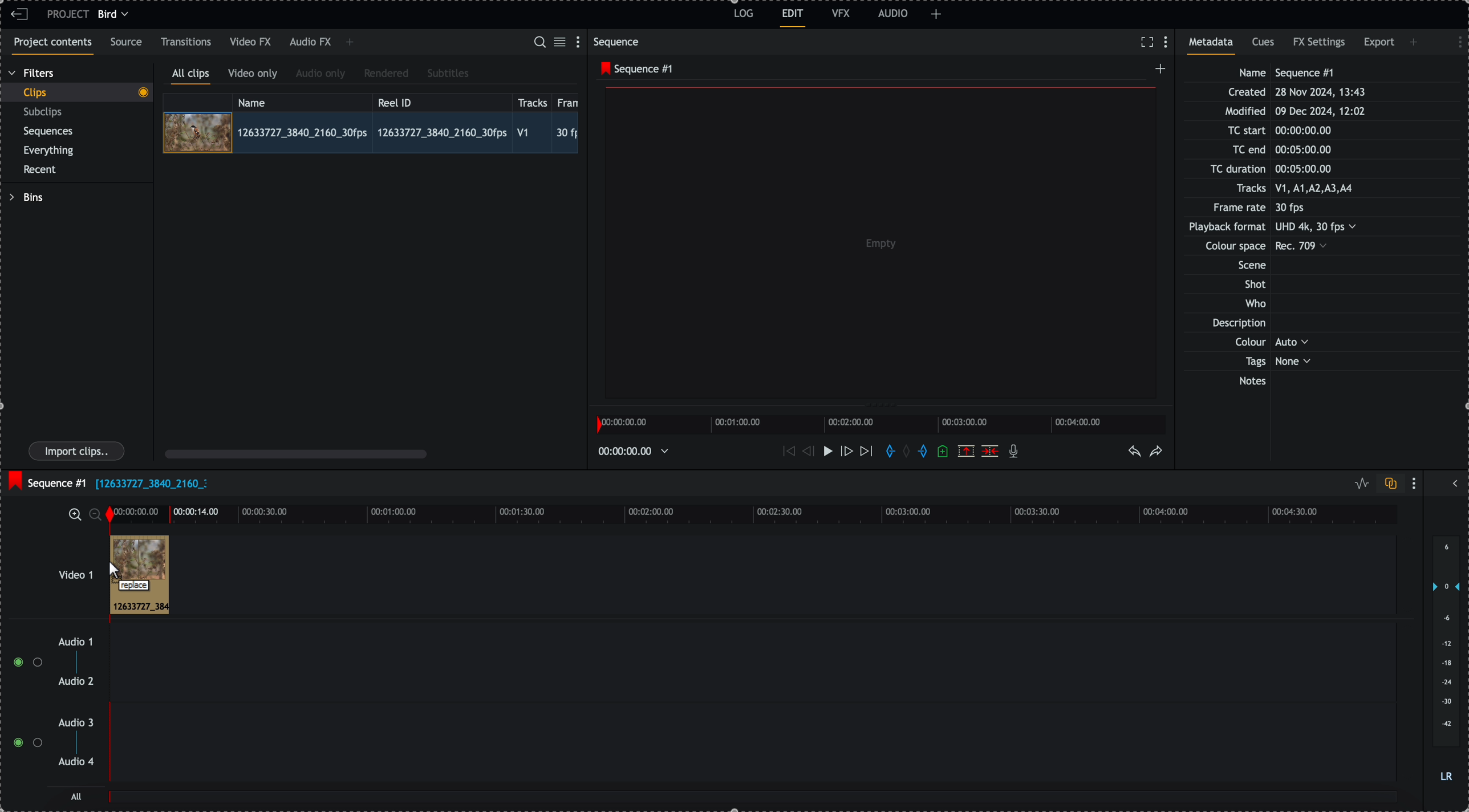 This screenshot has height=812, width=1469. What do you see at coordinates (302, 101) in the screenshot?
I see `name` at bounding box center [302, 101].